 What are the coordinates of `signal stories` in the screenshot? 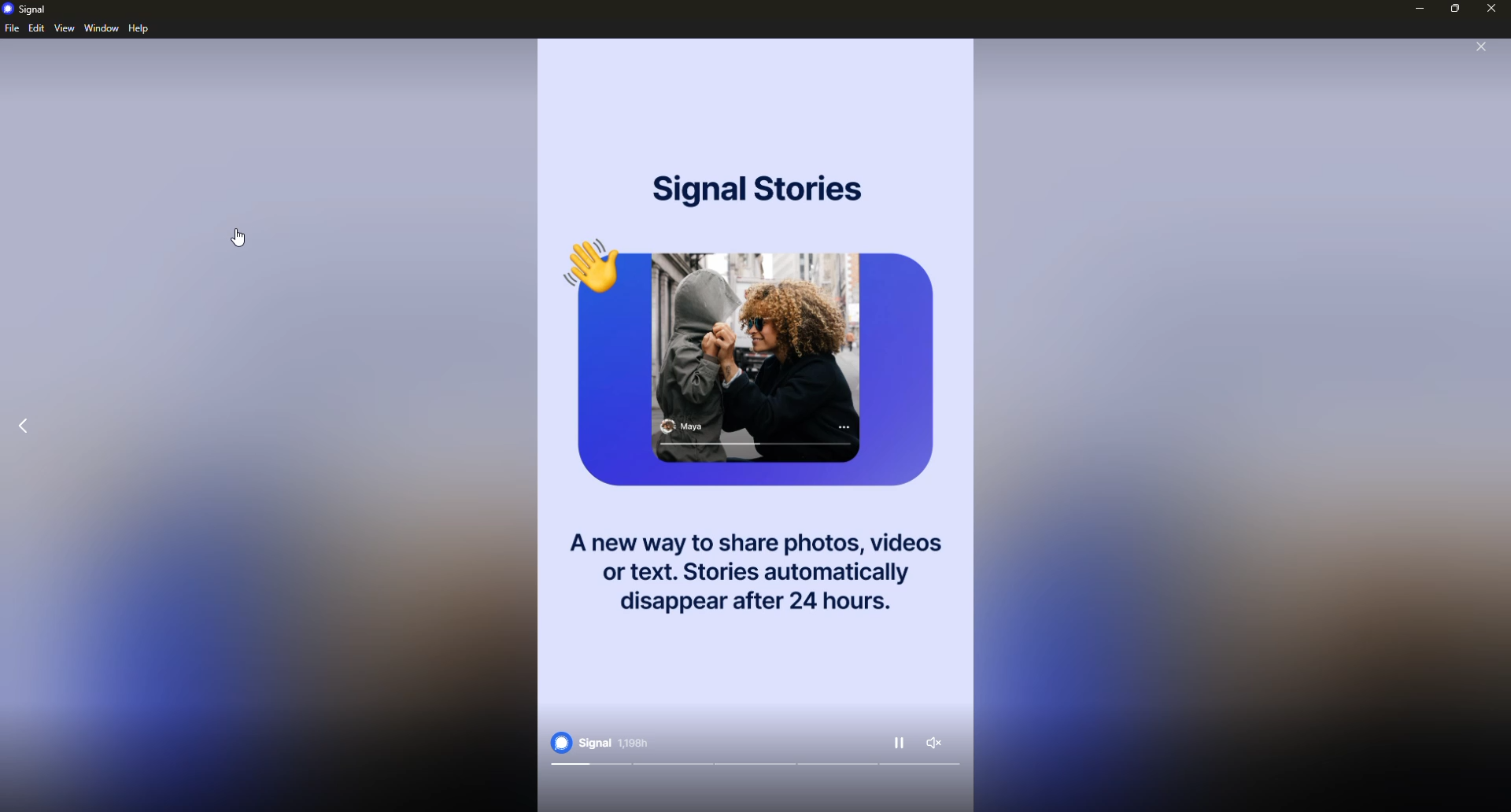 It's located at (755, 186).